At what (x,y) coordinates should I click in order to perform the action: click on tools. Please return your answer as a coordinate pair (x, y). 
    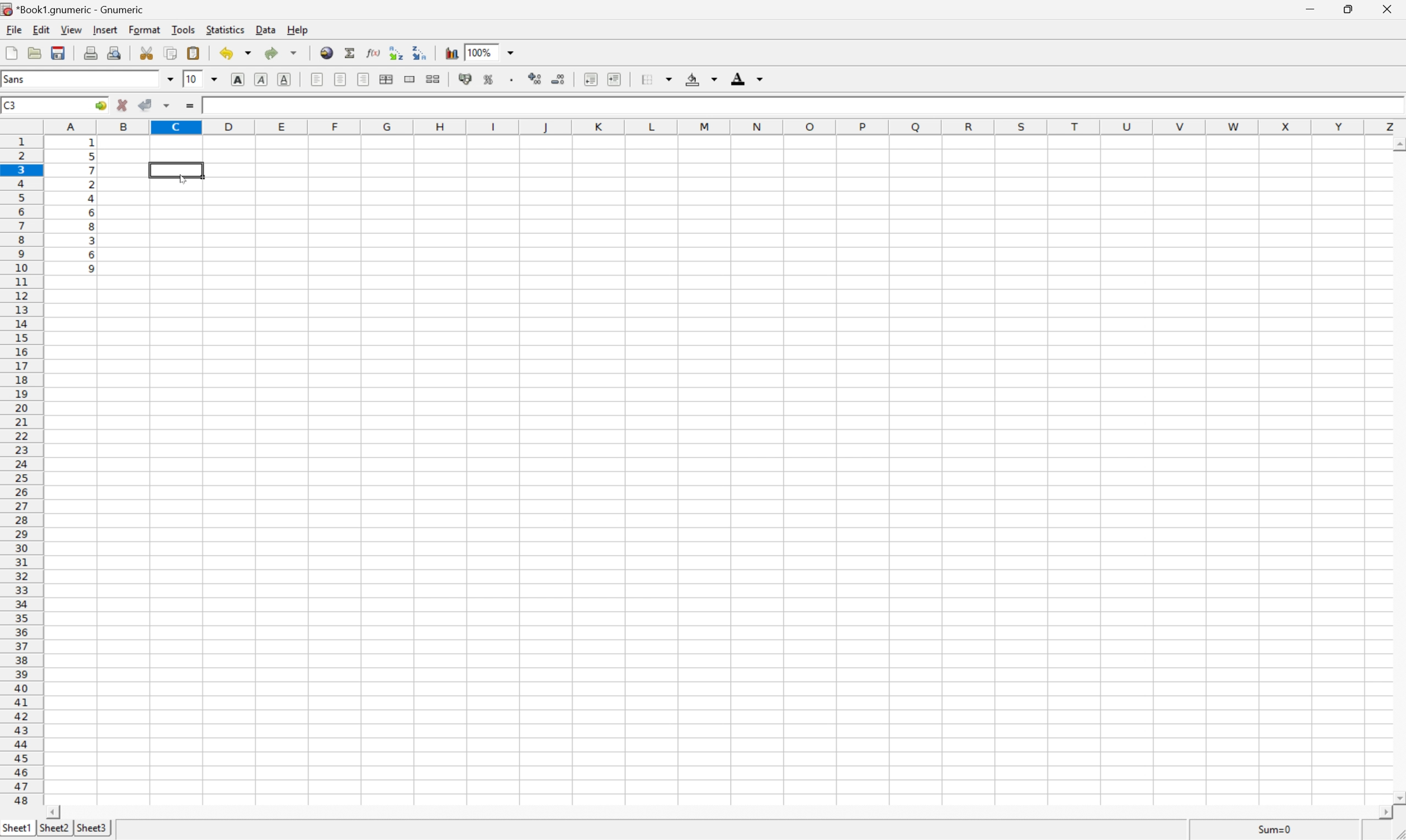
    Looking at the image, I should click on (183, 31).